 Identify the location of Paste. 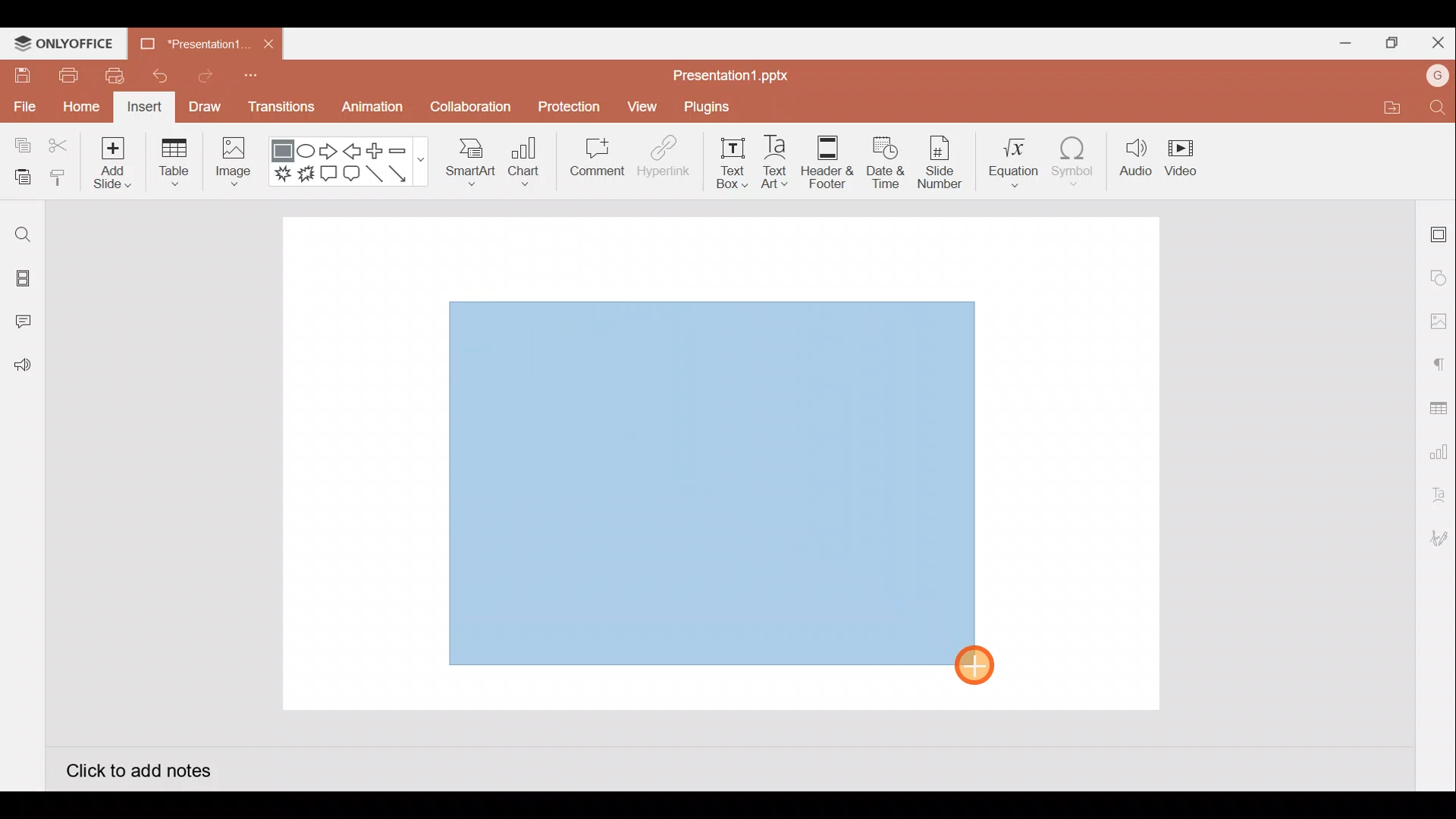
(19, 178).